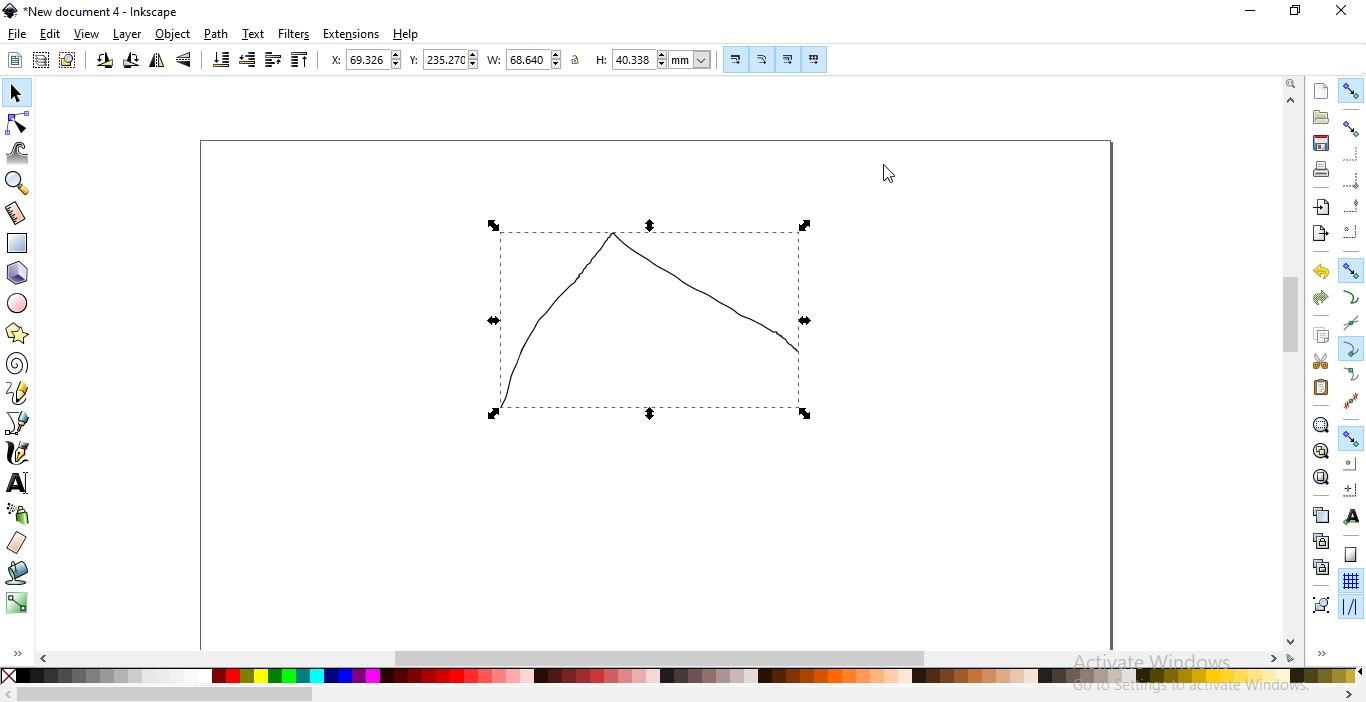 The image size is (1366, 702). I want to click on deselect any selected paths, so click(67, 61).